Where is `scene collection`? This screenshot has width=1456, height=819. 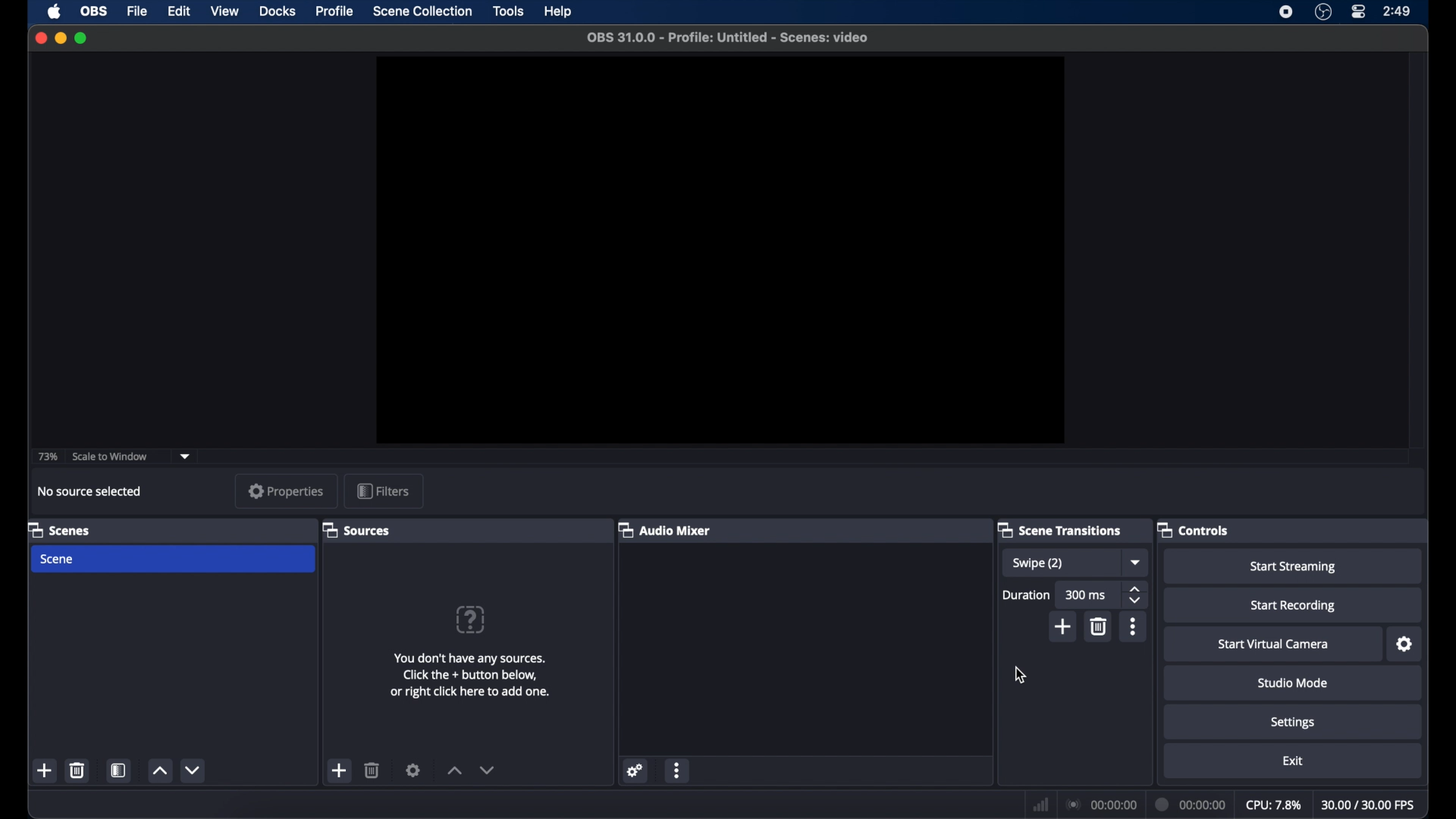 scene collection is located at coordinates (422, 11).